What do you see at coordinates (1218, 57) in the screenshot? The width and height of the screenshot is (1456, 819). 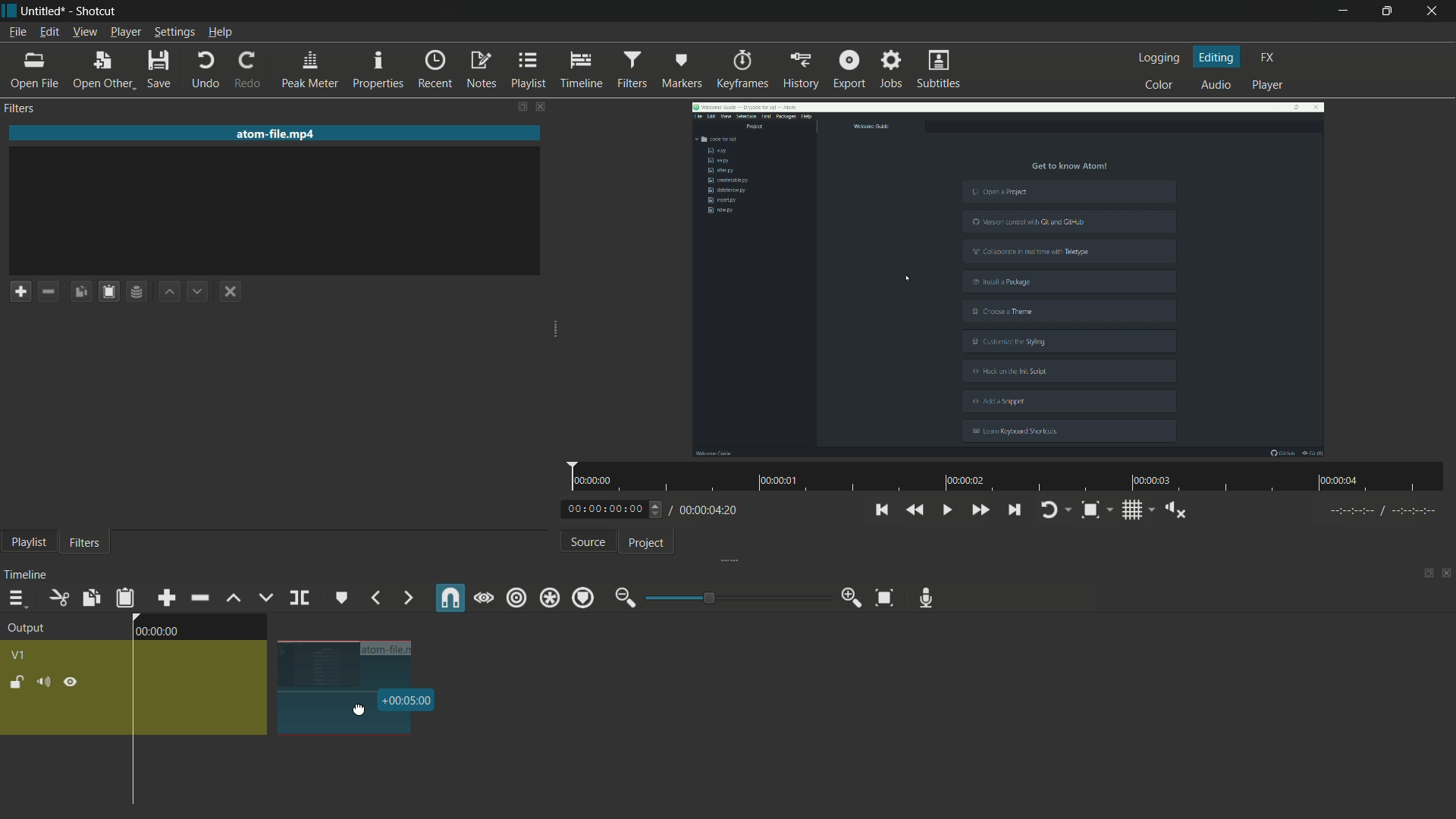 I see `editing` at bounding box center [1218, 57].